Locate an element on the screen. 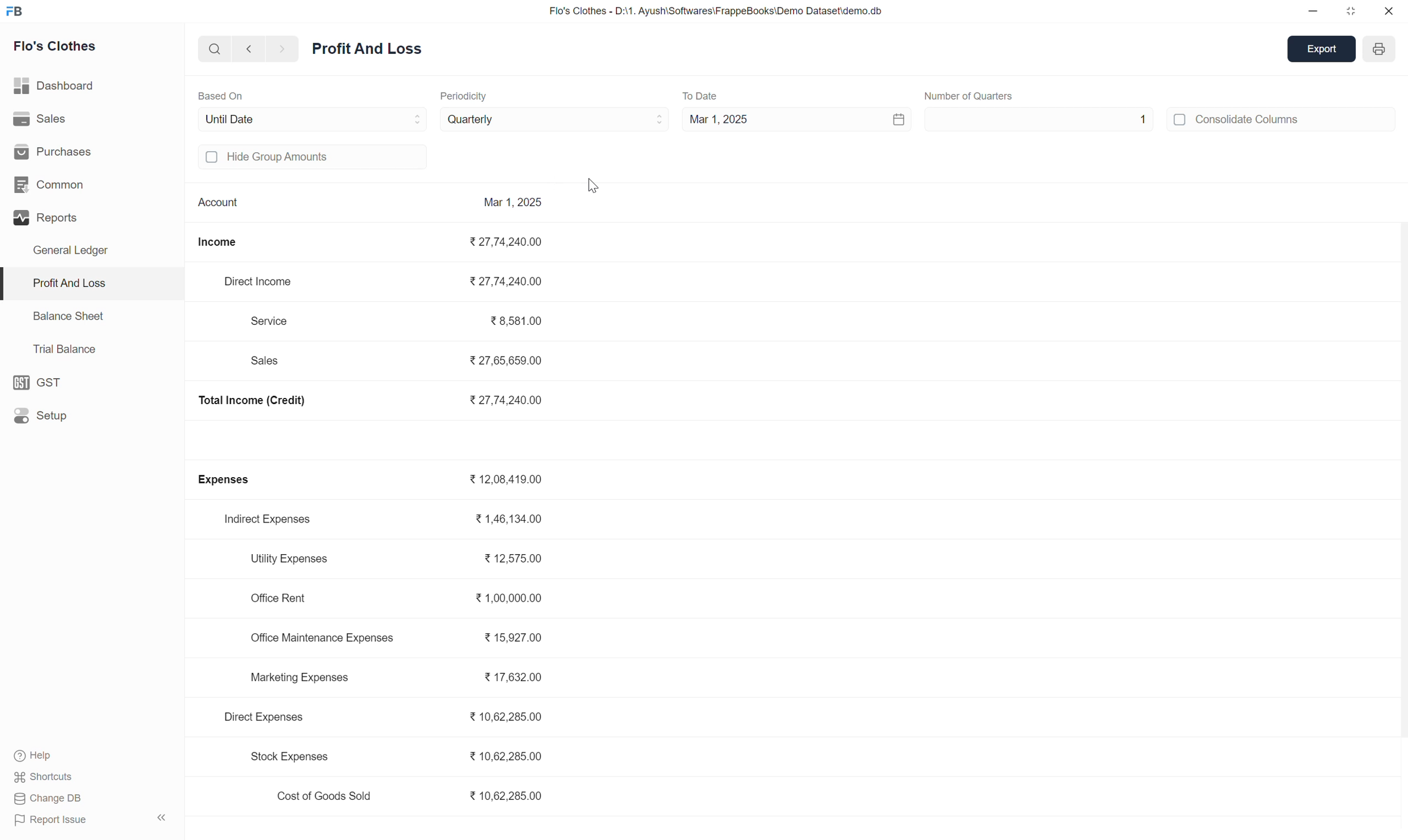 This screenshot has height=840, width=1408. back is located at coordinates (248, 50).